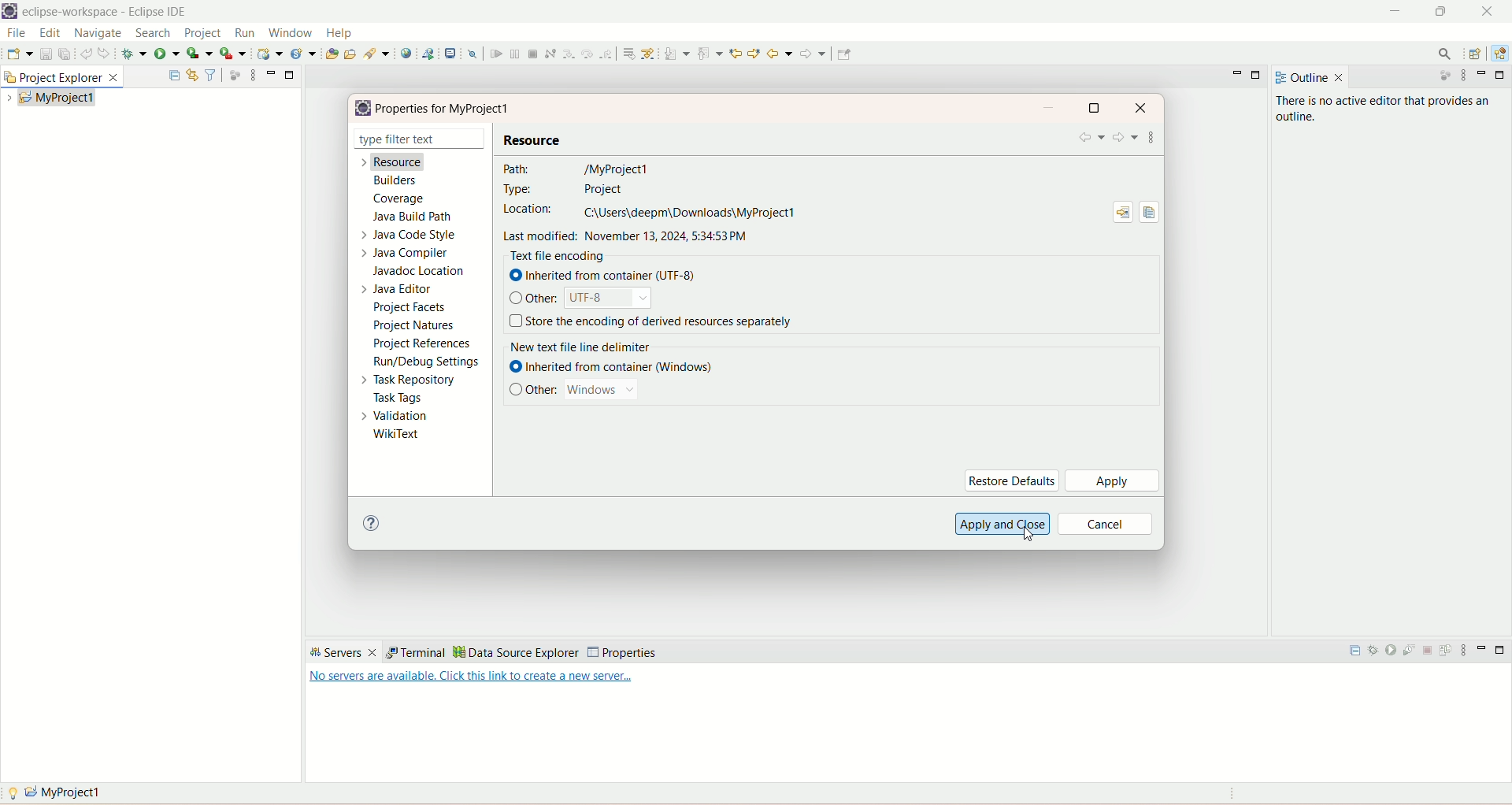 This screenshot has height=805, width=1512. Describe the element at coordinates (608, 53) in the screenshot. I see `step return` at that location.